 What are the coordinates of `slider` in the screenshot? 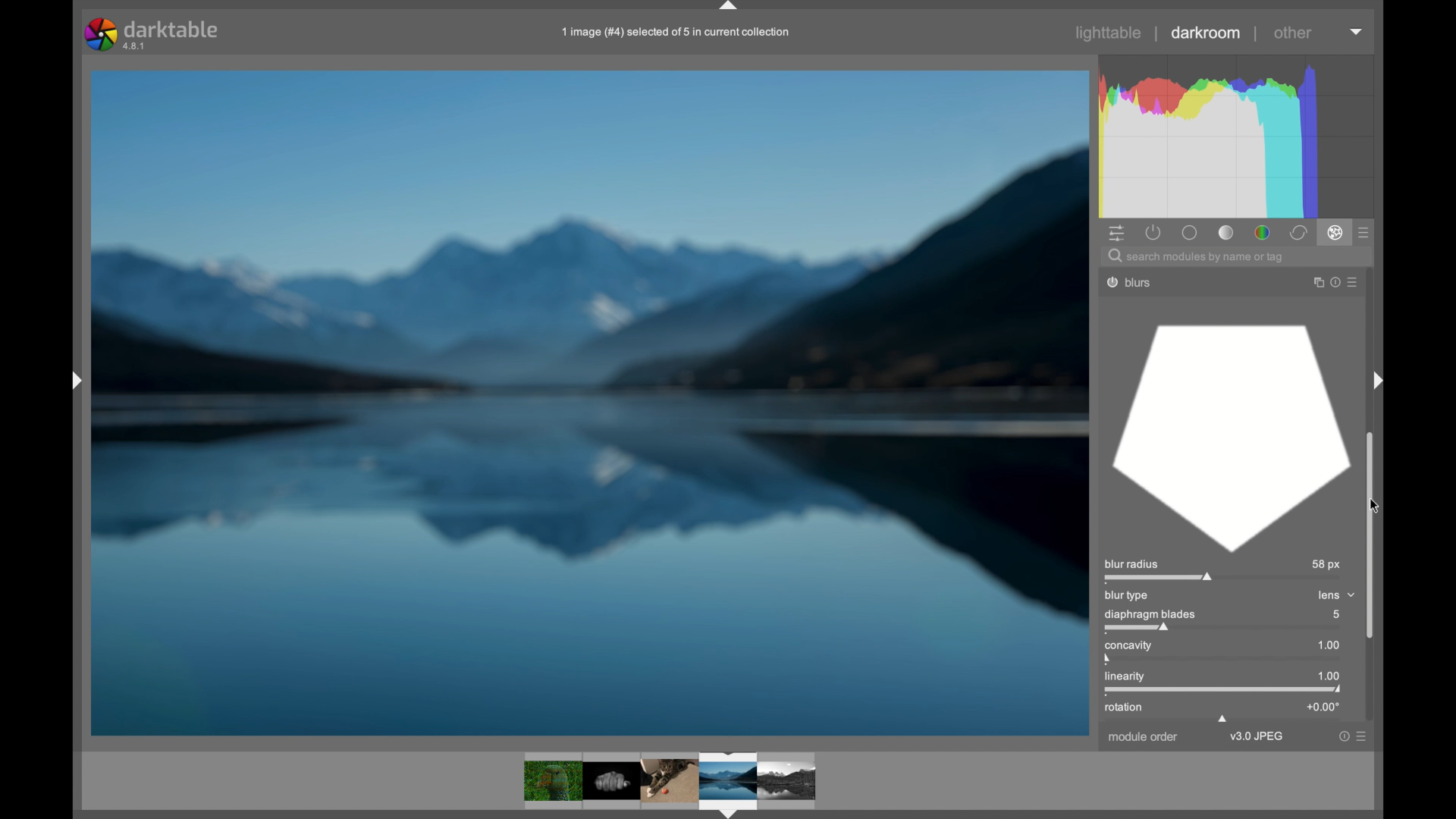 It's located at (1225, 691).